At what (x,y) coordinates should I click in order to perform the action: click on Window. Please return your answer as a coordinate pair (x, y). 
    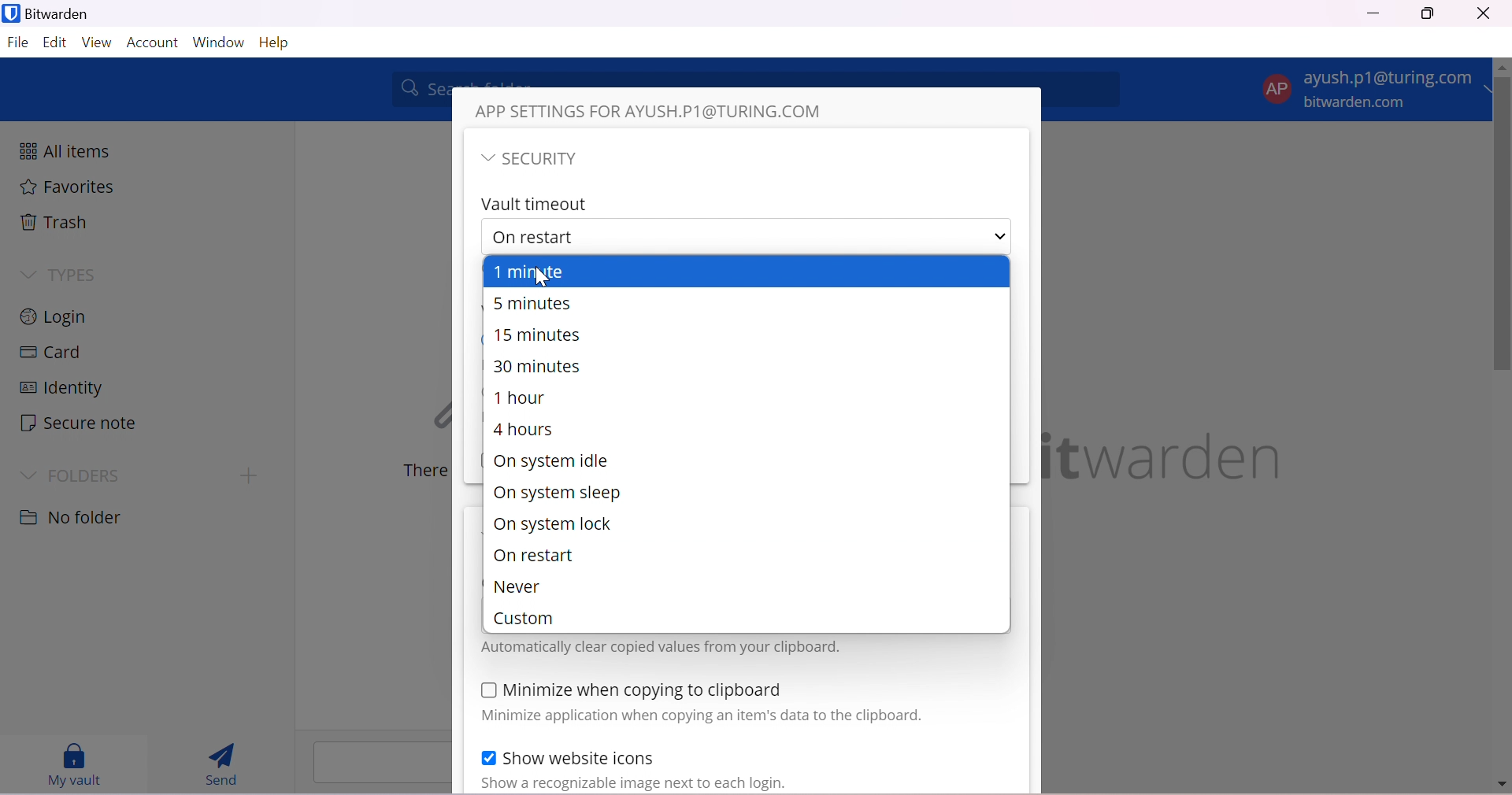
    Looking at the image, I should click on (219, 41).